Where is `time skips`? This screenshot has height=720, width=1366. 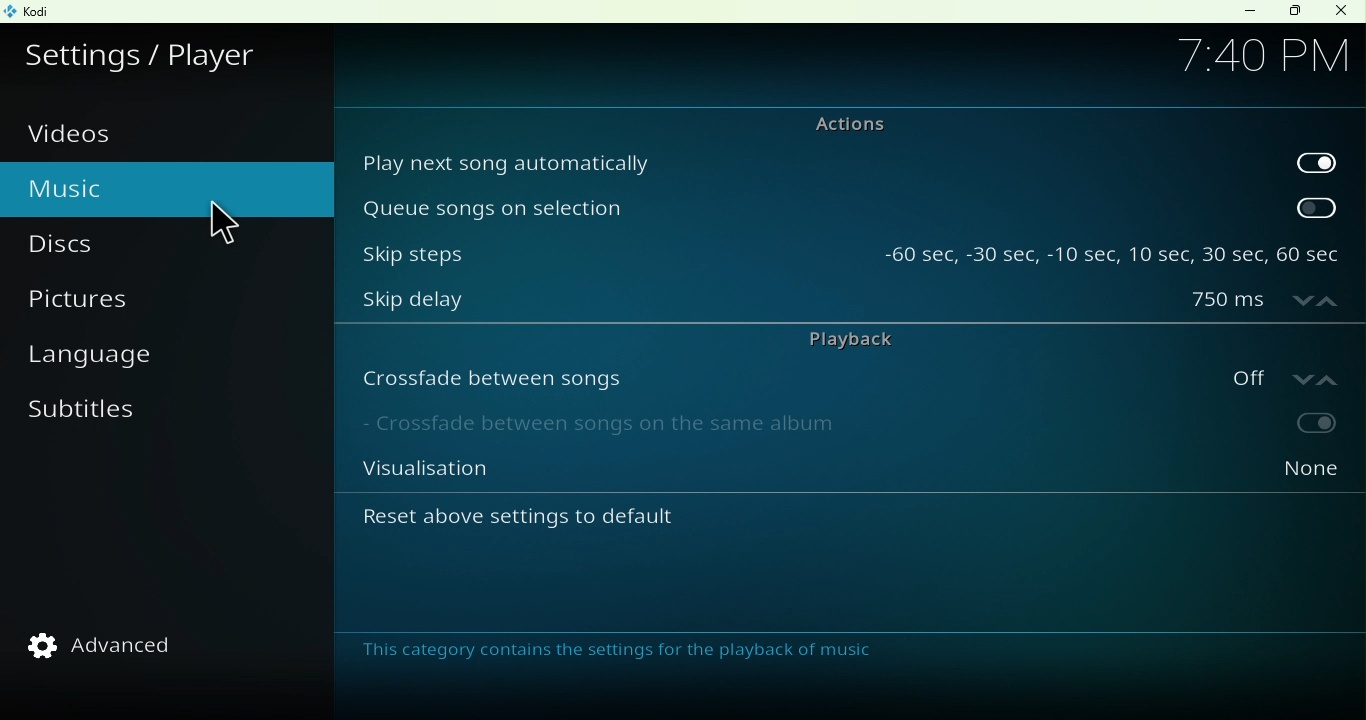
time skips is located at coordinates (1112, 248).